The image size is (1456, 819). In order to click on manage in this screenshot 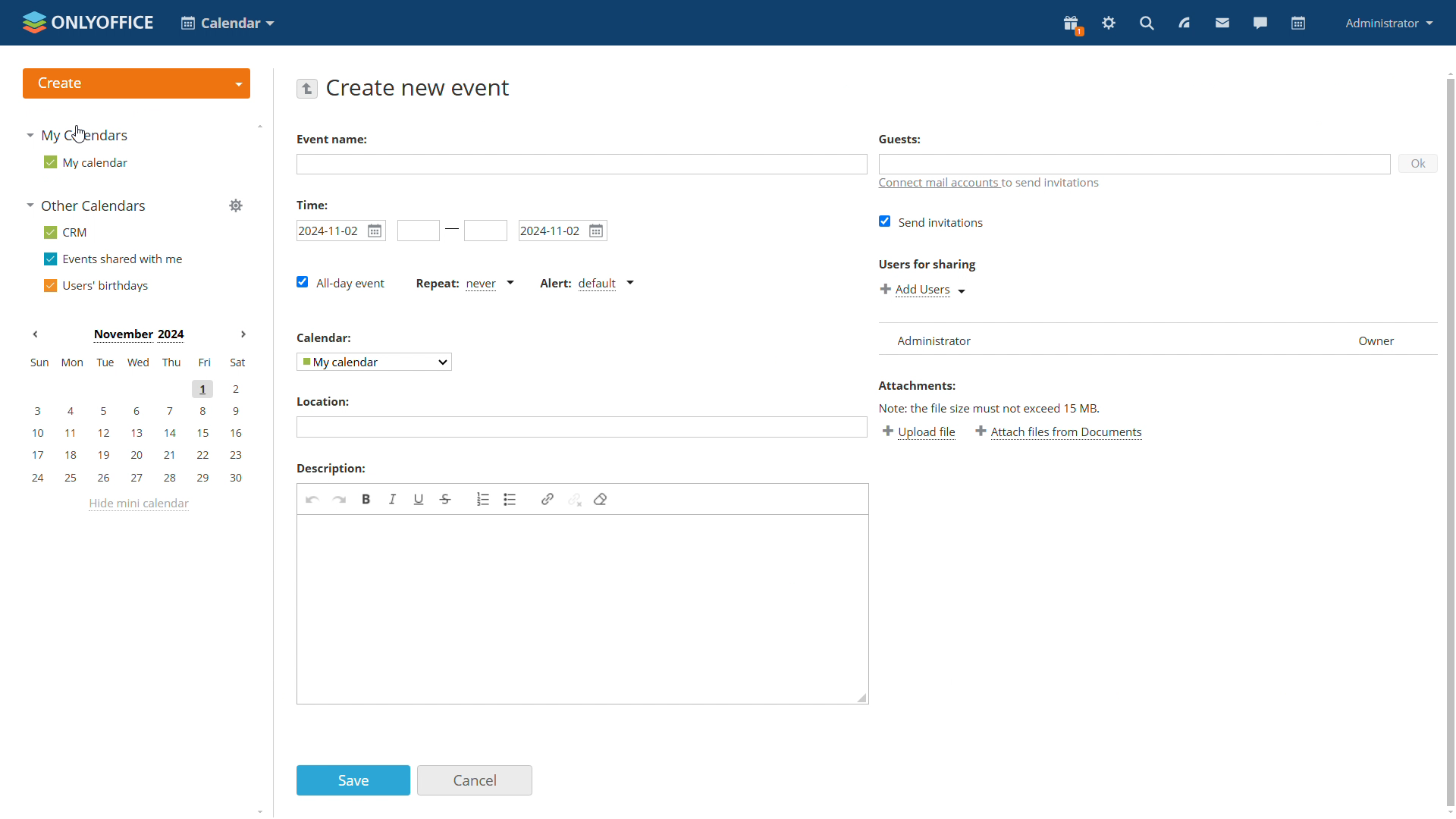, I will do `click(231, 206)`.